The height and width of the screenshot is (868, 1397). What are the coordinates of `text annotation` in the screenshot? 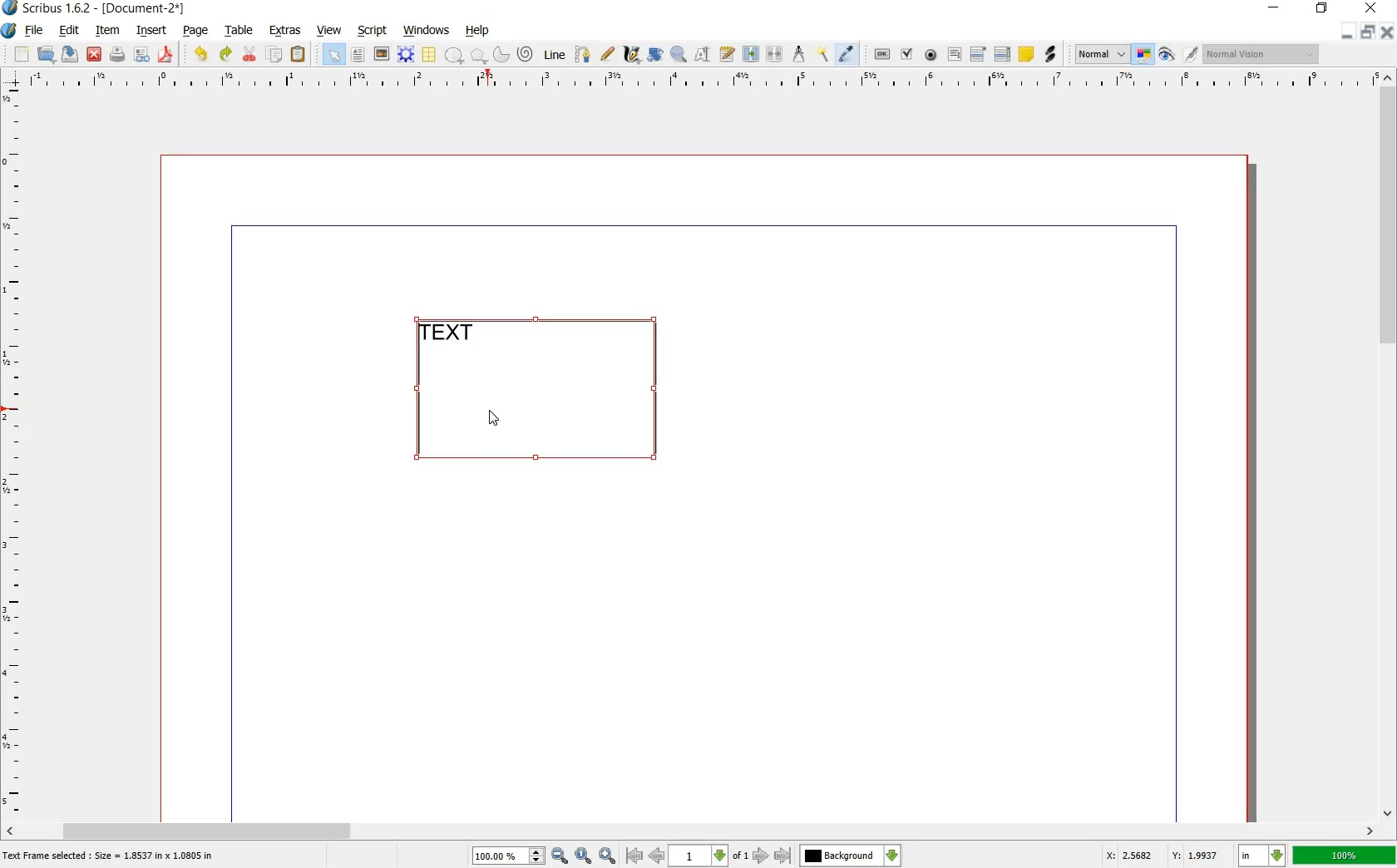 It's located at (1026, 54).